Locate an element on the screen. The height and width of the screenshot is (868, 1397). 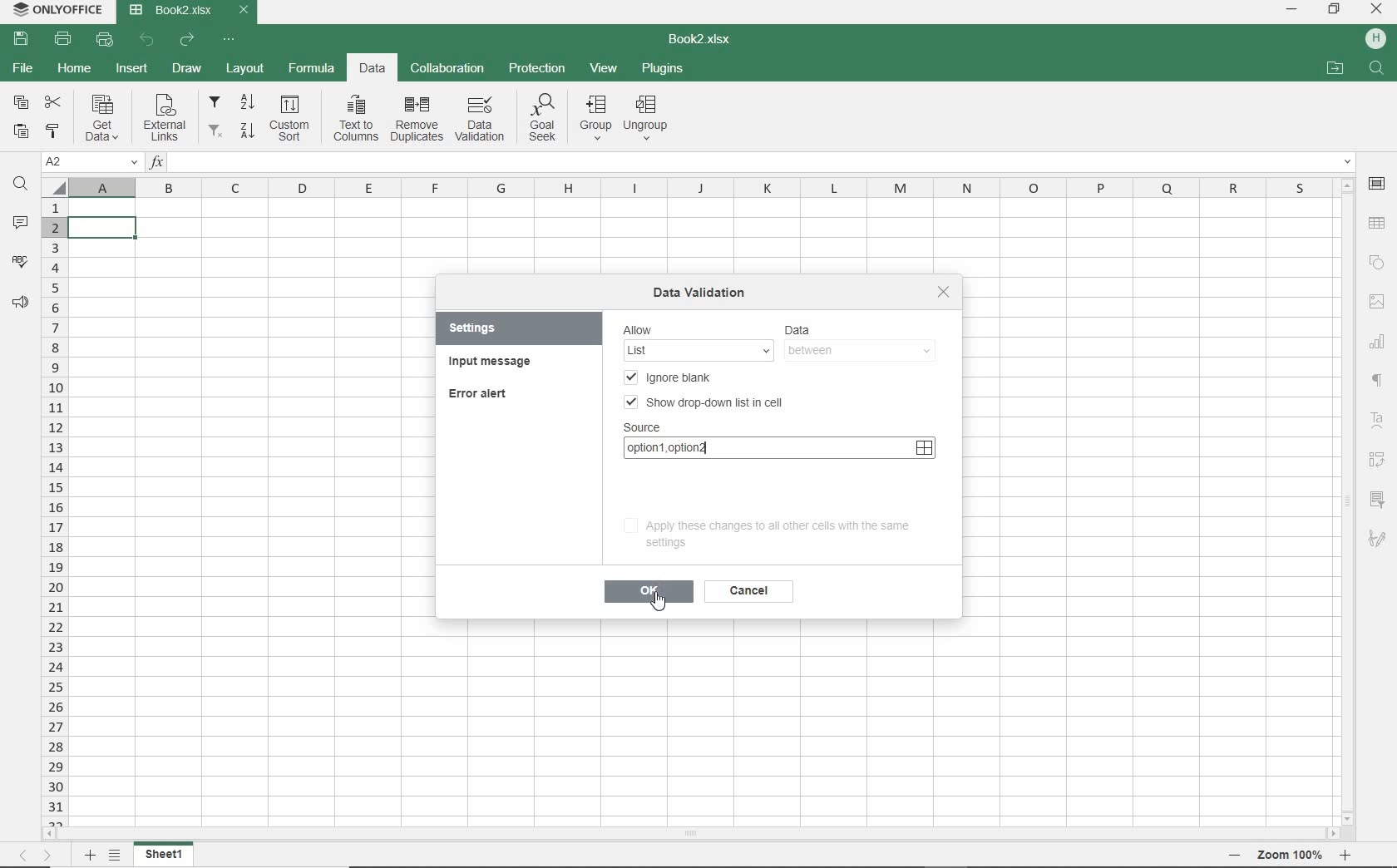
goal seek is located at coordinates (544, 116).